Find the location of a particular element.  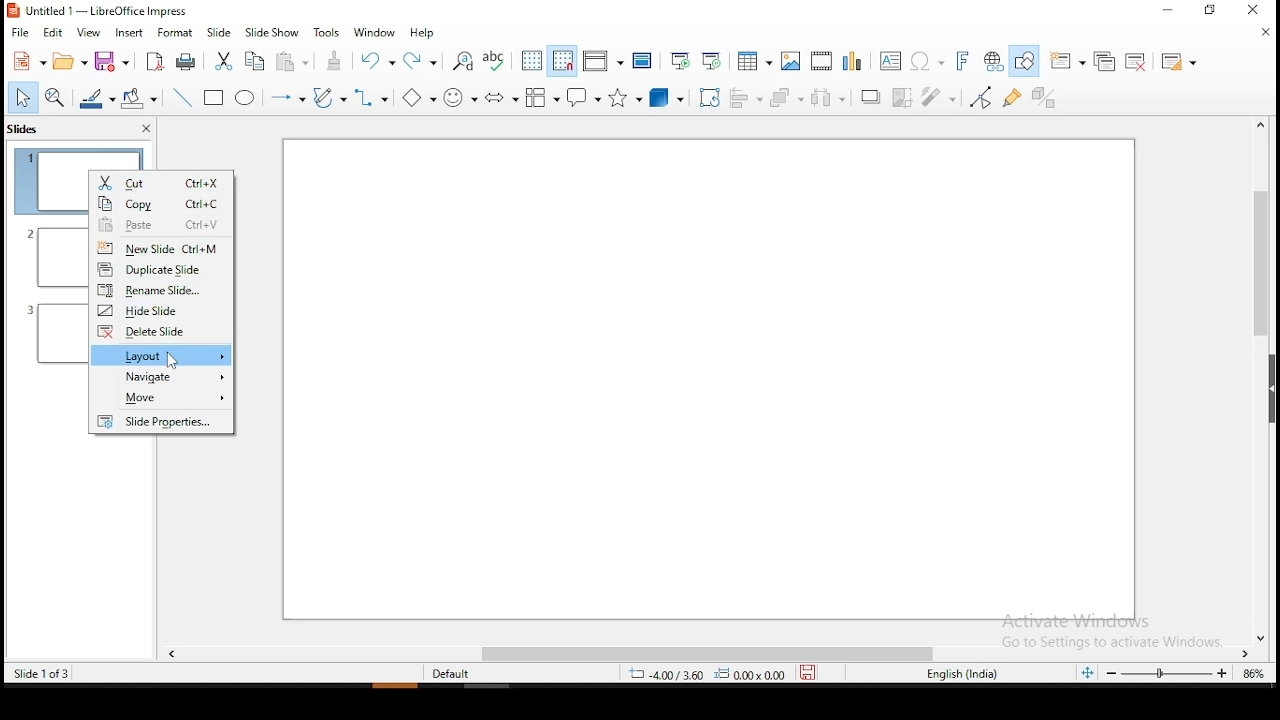

close pane is located at coordinates (146, 129).